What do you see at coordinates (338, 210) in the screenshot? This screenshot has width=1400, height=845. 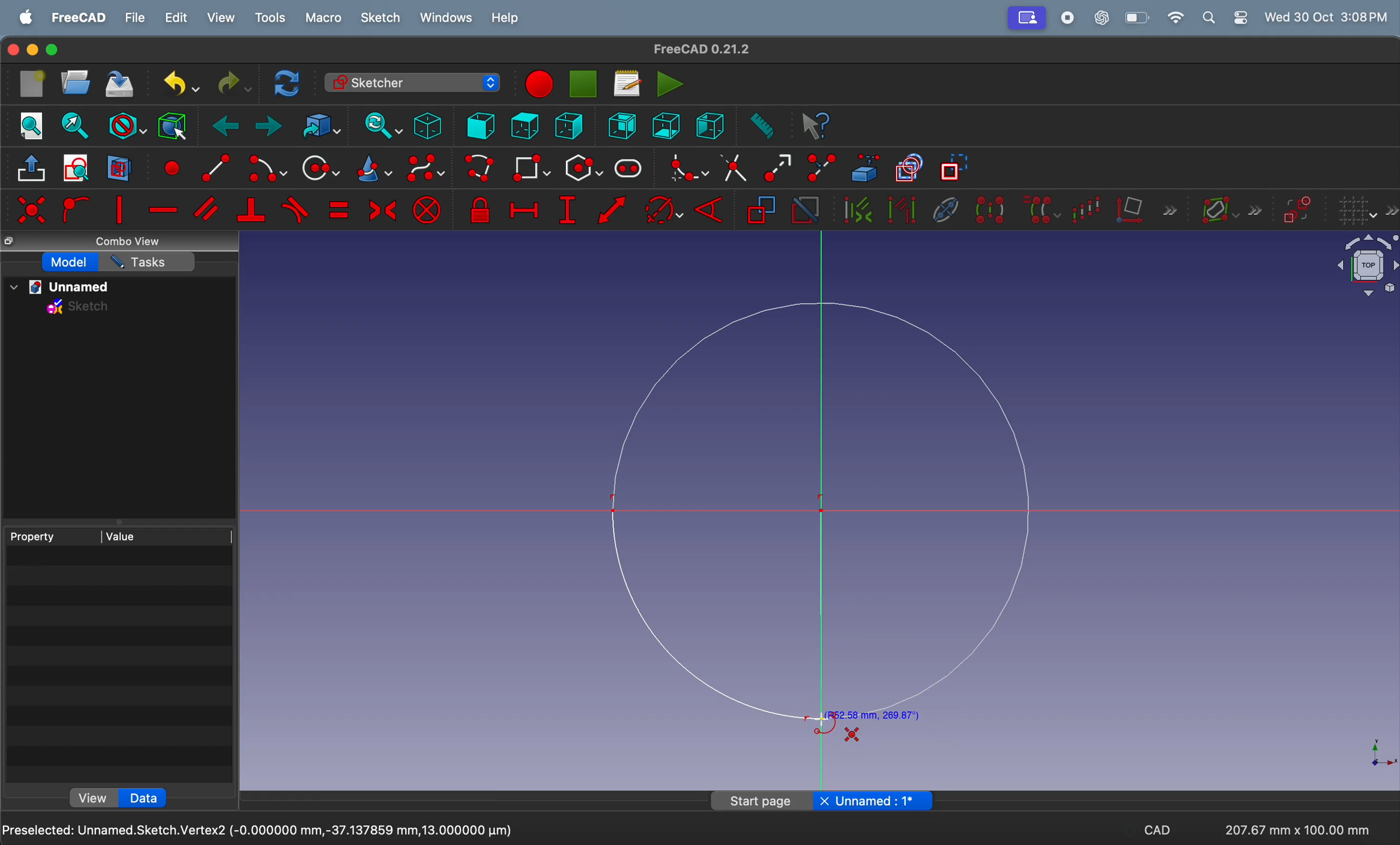 I see `constrain equal` at bounding box center [338, 210].